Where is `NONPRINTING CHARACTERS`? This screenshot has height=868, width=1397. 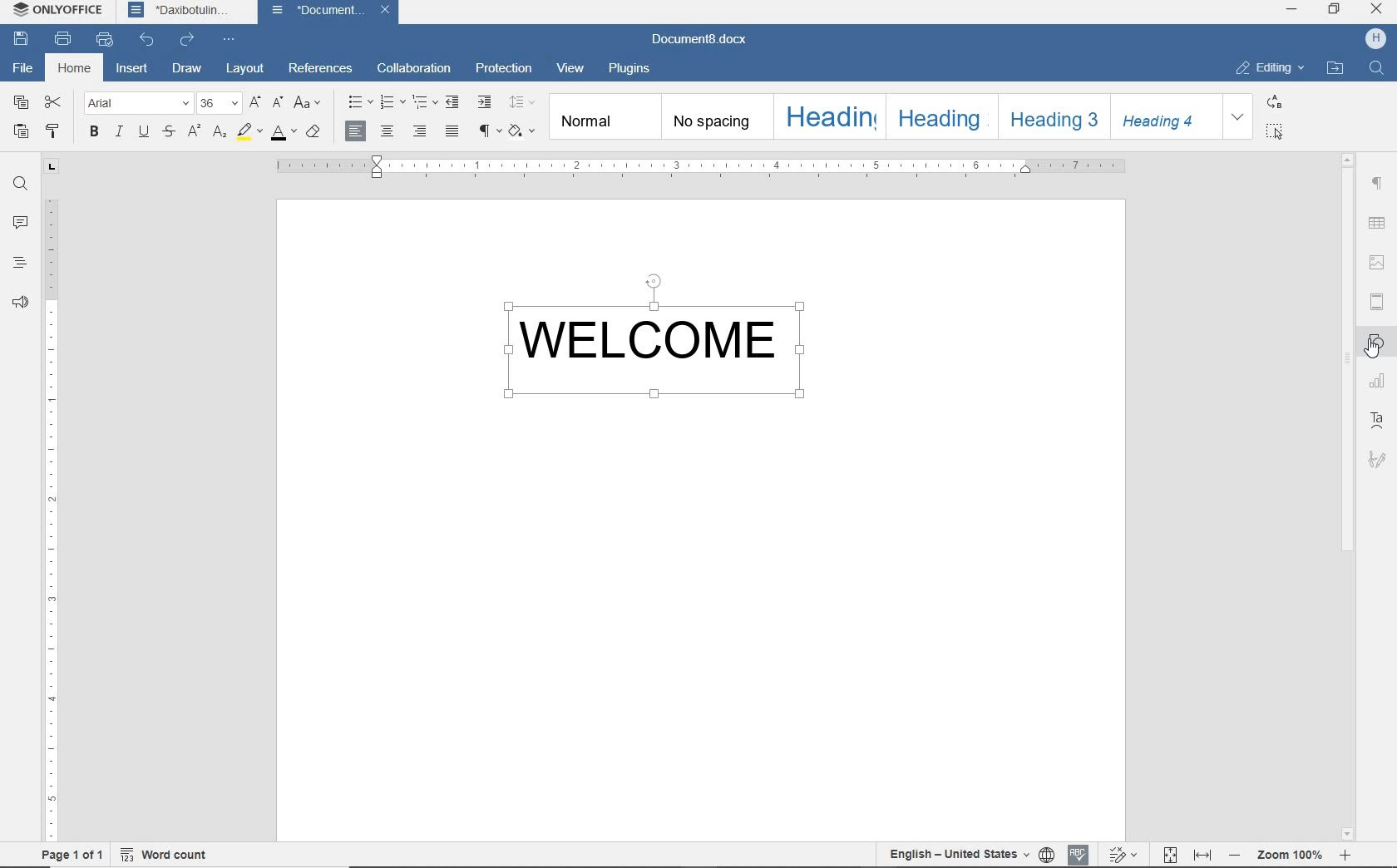
NONPRINTING CHARACTERS is located at coordinates (487, 131).